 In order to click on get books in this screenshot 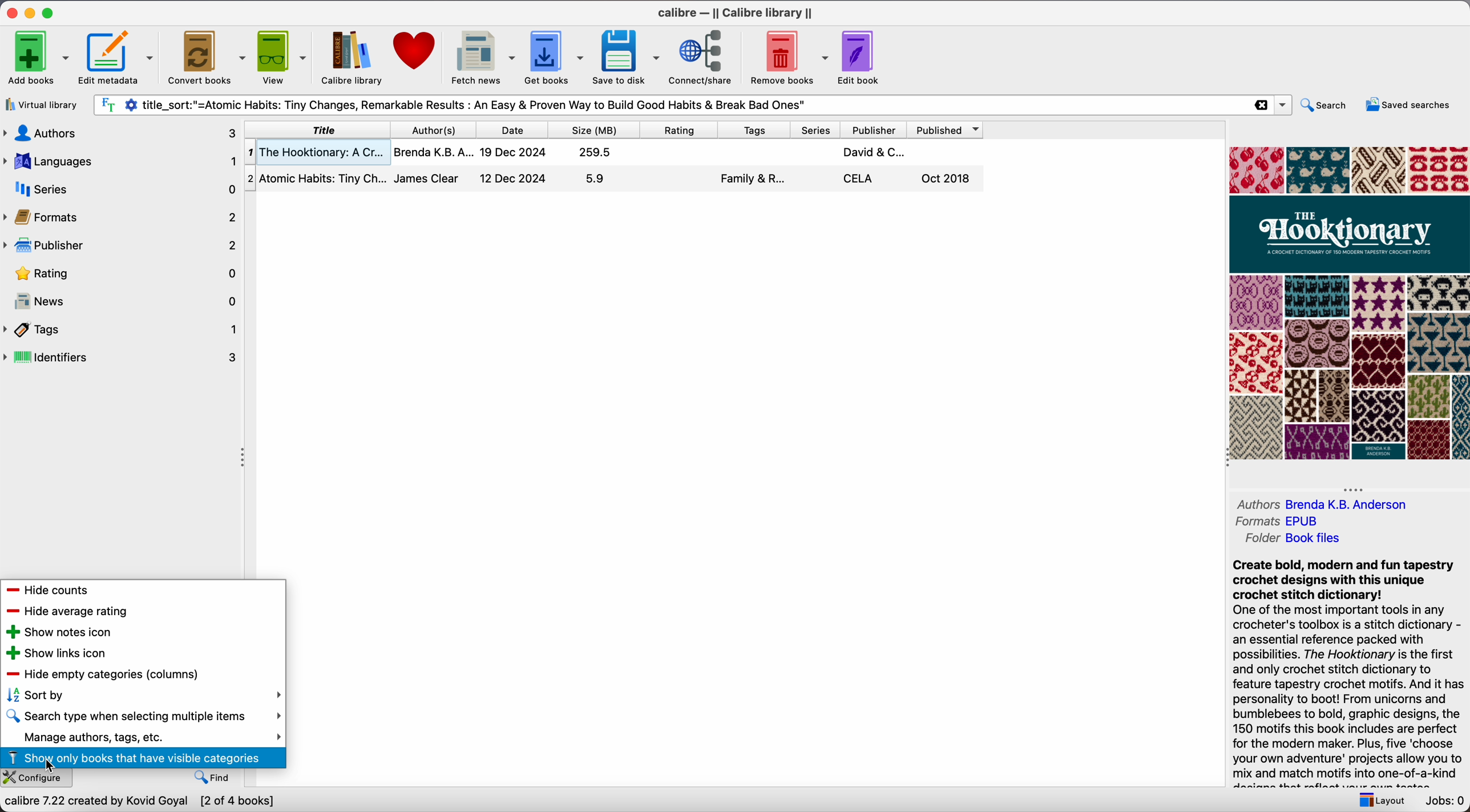, I will do `click(556, 56)`.